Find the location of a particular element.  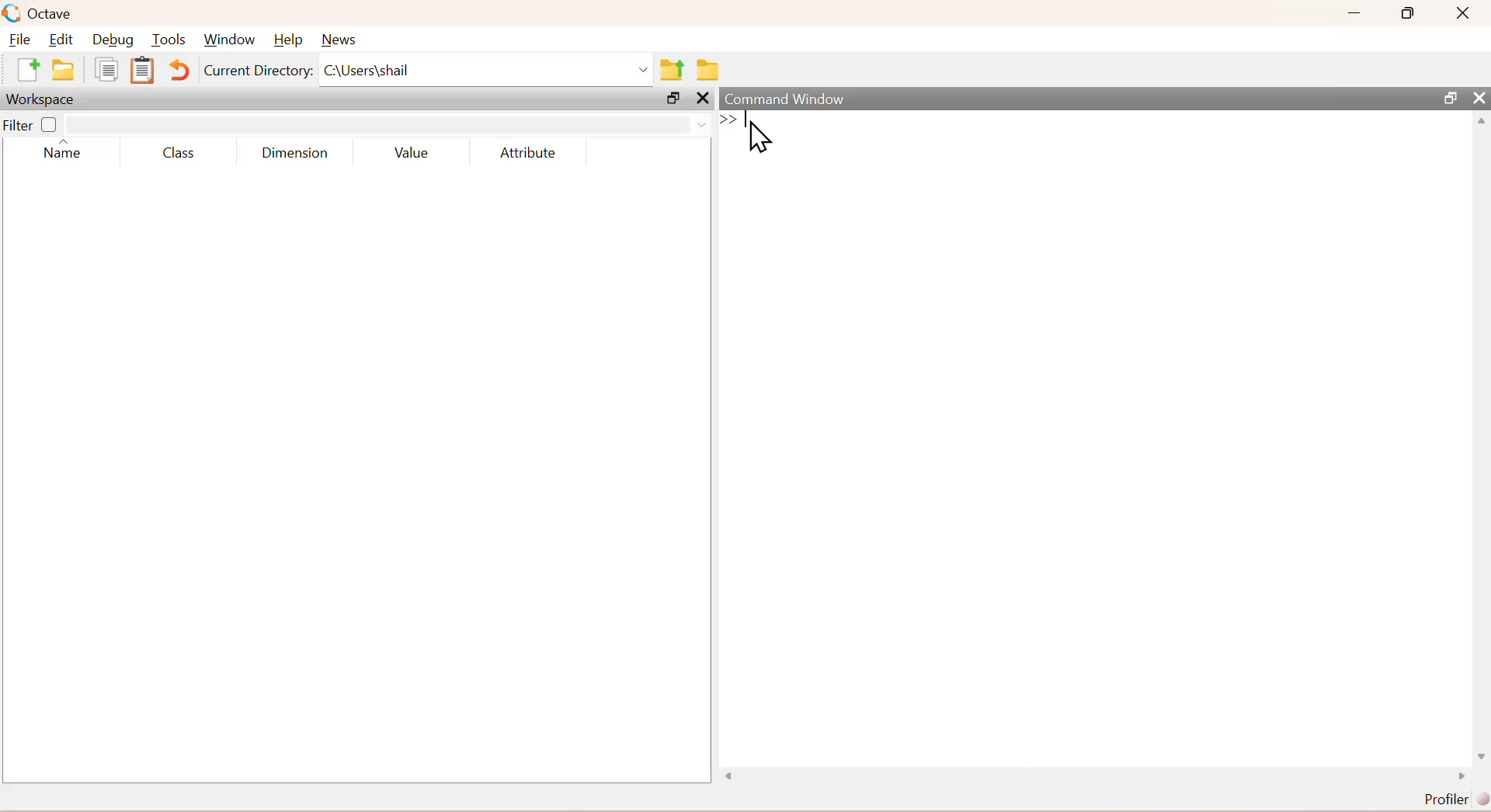

Left is located at coordinates (727, 774).